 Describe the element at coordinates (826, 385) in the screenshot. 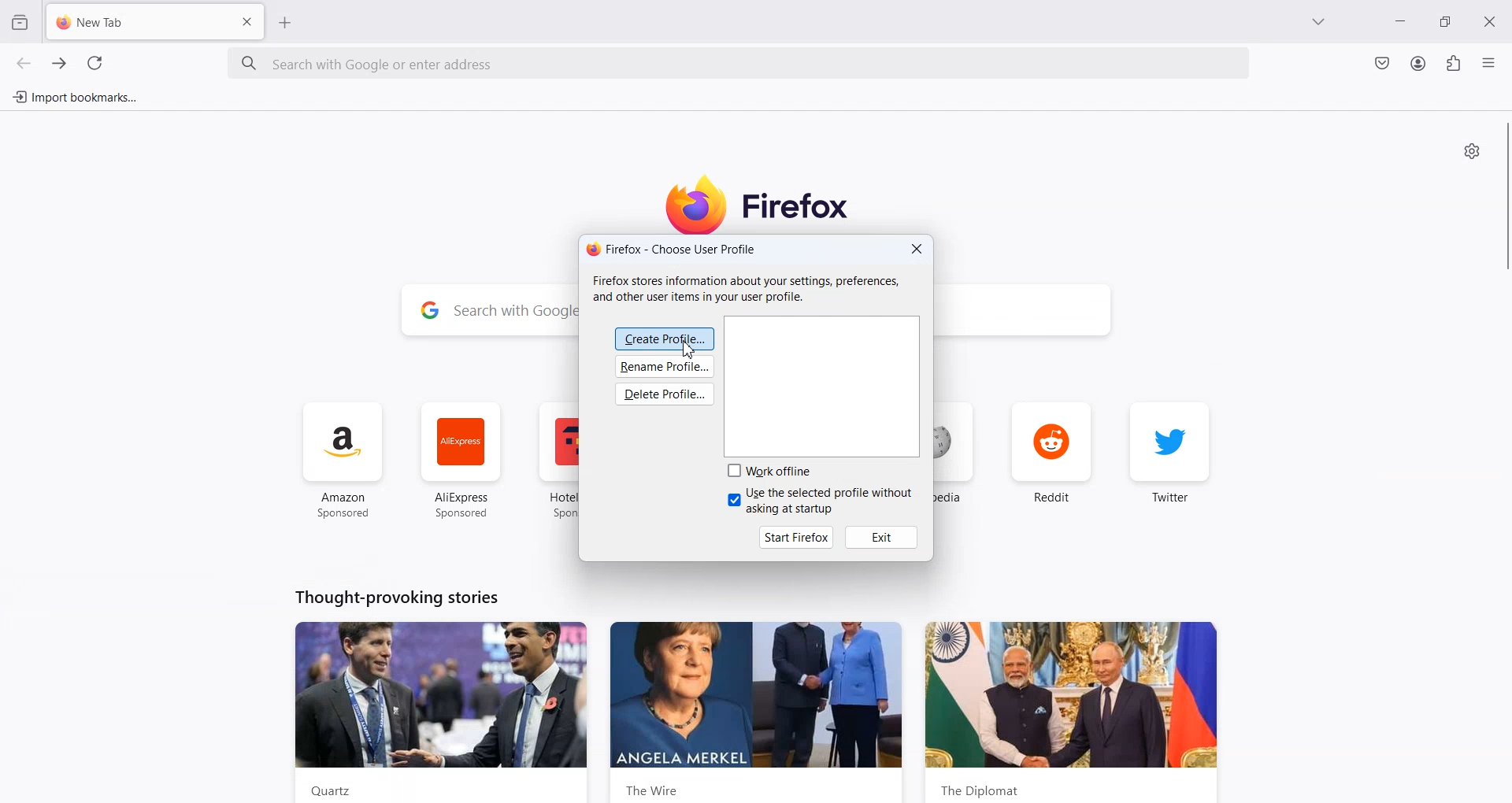

I see `File Preview` at that location.